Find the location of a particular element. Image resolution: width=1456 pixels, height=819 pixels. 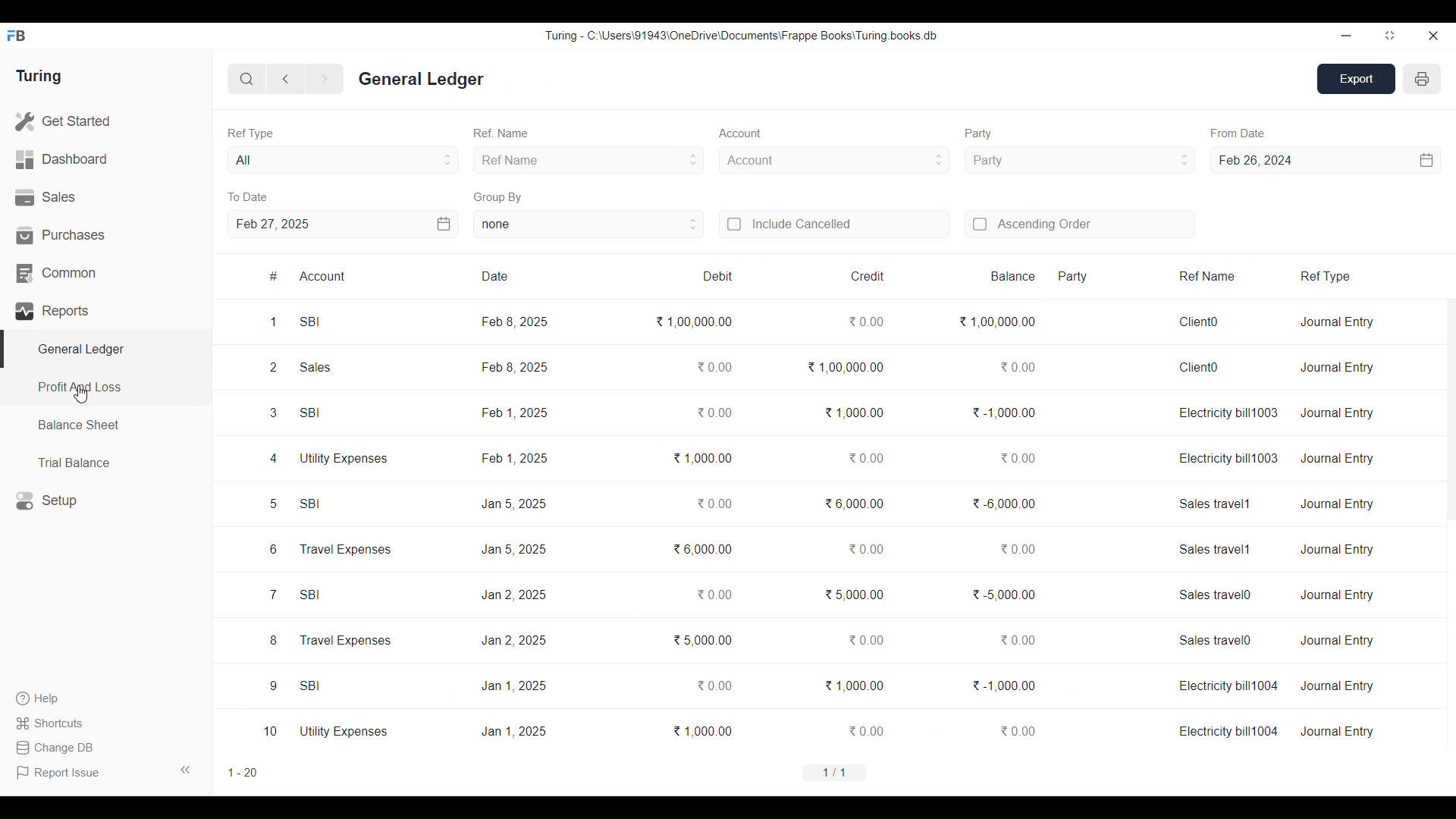

Electricity bill1004 is located at coordinates (1227, 686).